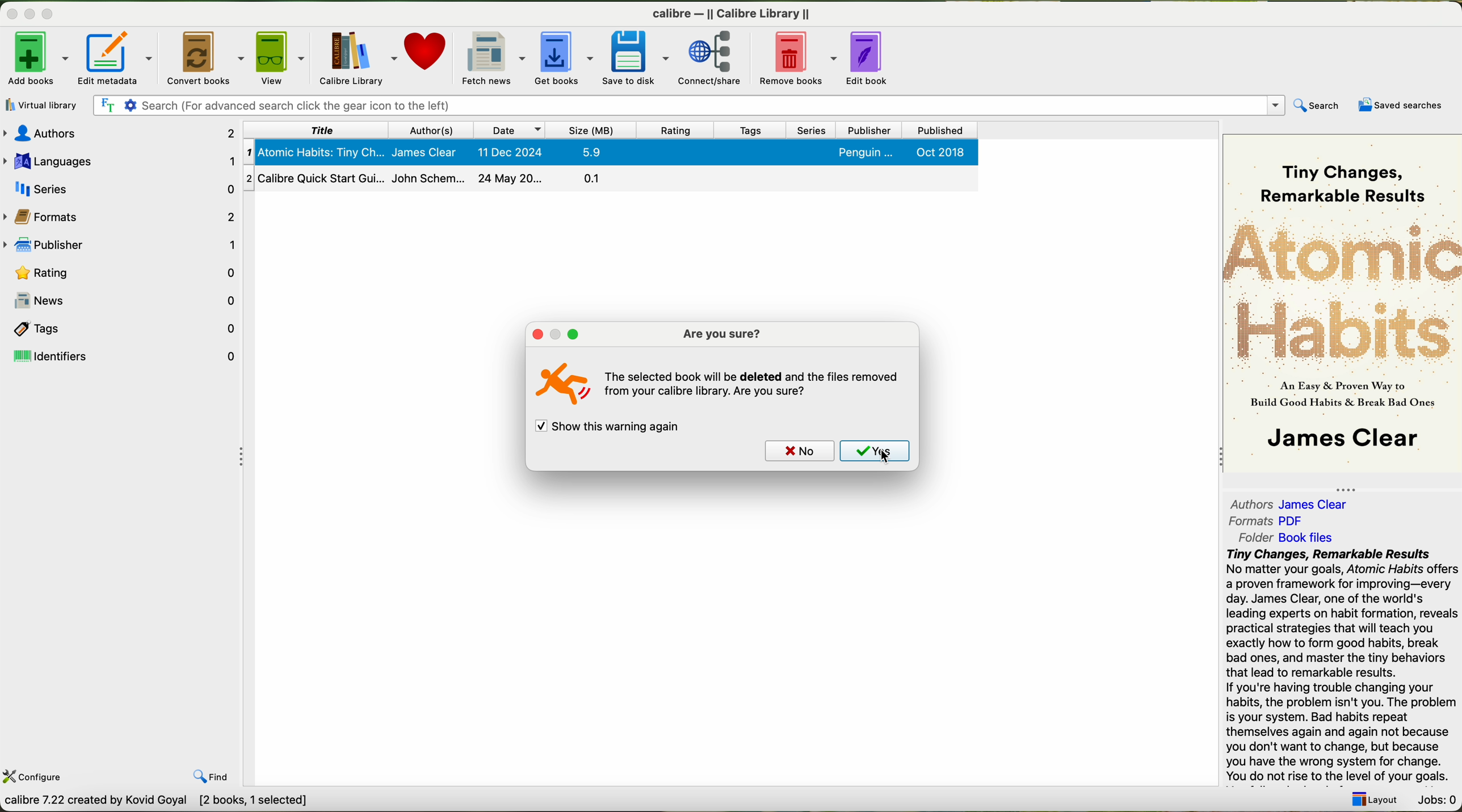 The height and width of the screenshot is (812, 1462). I want to click on news, so click(123, 297).